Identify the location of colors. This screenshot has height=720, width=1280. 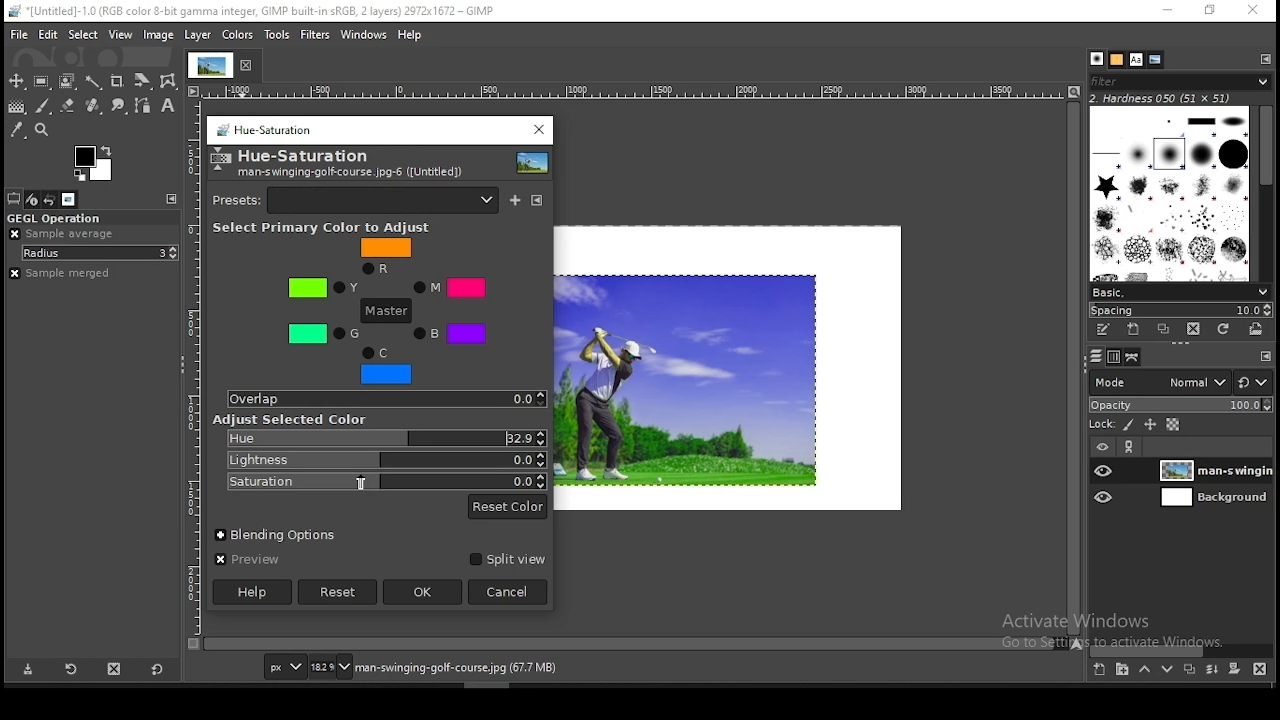
(239, 35).